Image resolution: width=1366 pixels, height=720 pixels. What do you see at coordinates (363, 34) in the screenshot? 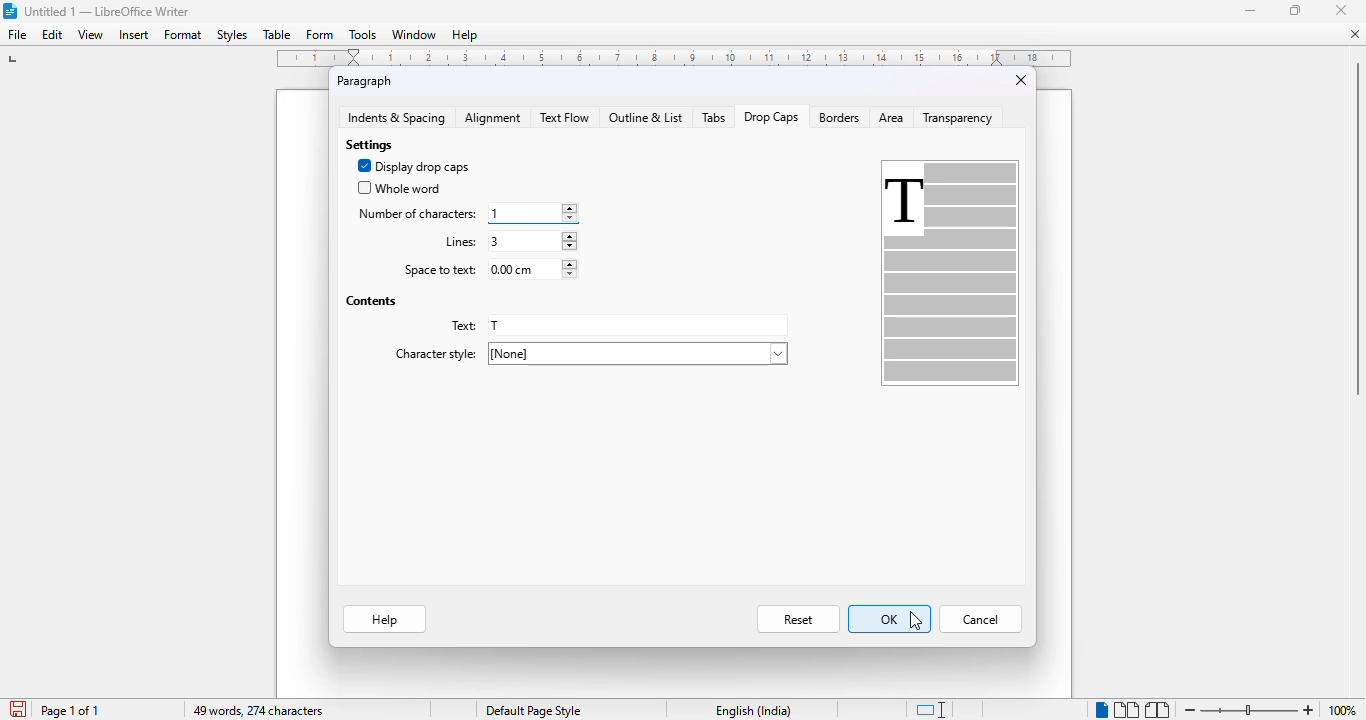
I see `tools` at bounding box center [363, 34].